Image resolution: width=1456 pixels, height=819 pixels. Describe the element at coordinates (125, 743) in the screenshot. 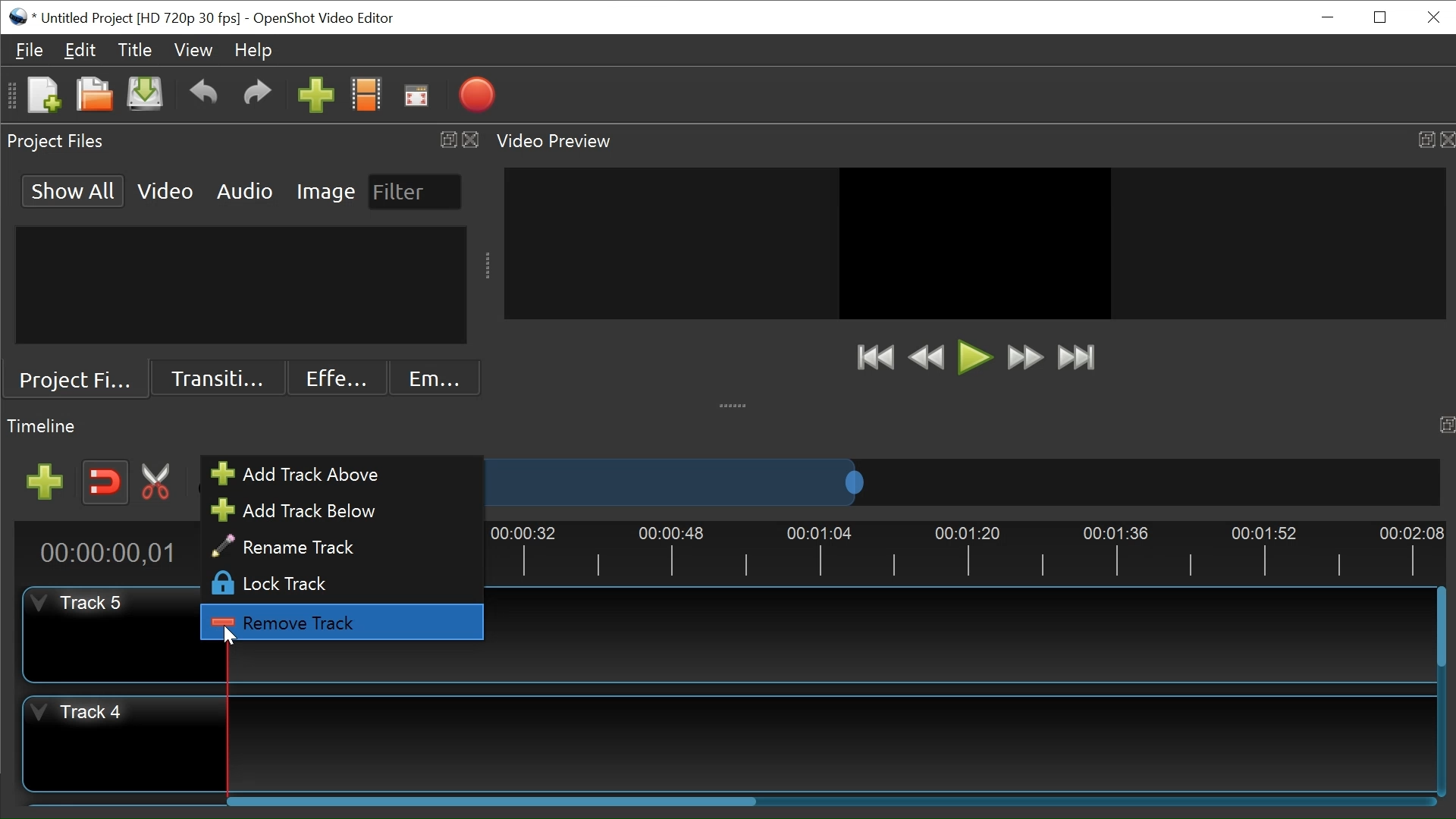

I see `Track Header` at that location.